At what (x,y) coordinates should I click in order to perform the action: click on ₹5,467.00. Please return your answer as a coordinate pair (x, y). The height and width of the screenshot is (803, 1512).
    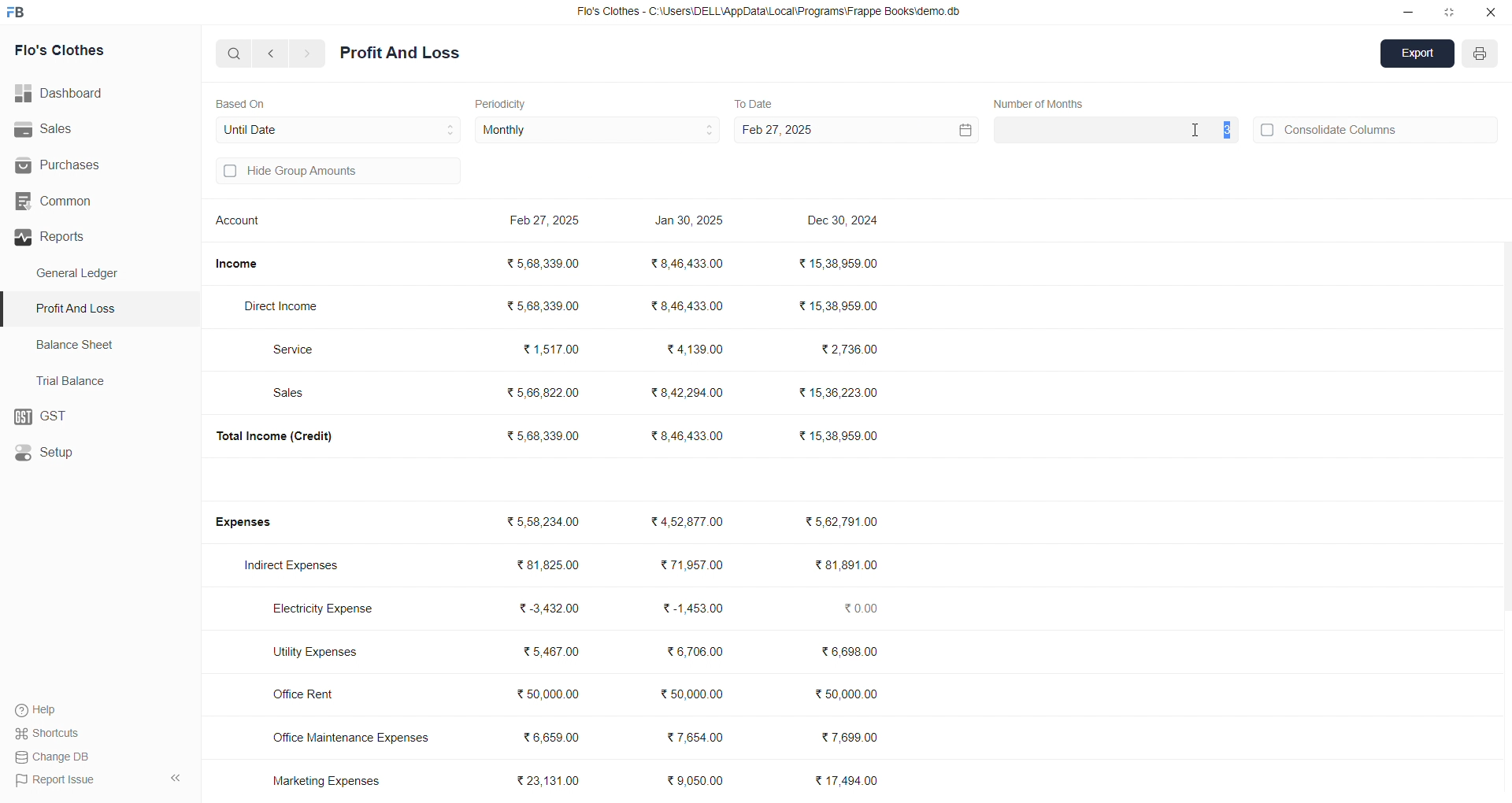
    Looking at the image, I should click on (551, 651).